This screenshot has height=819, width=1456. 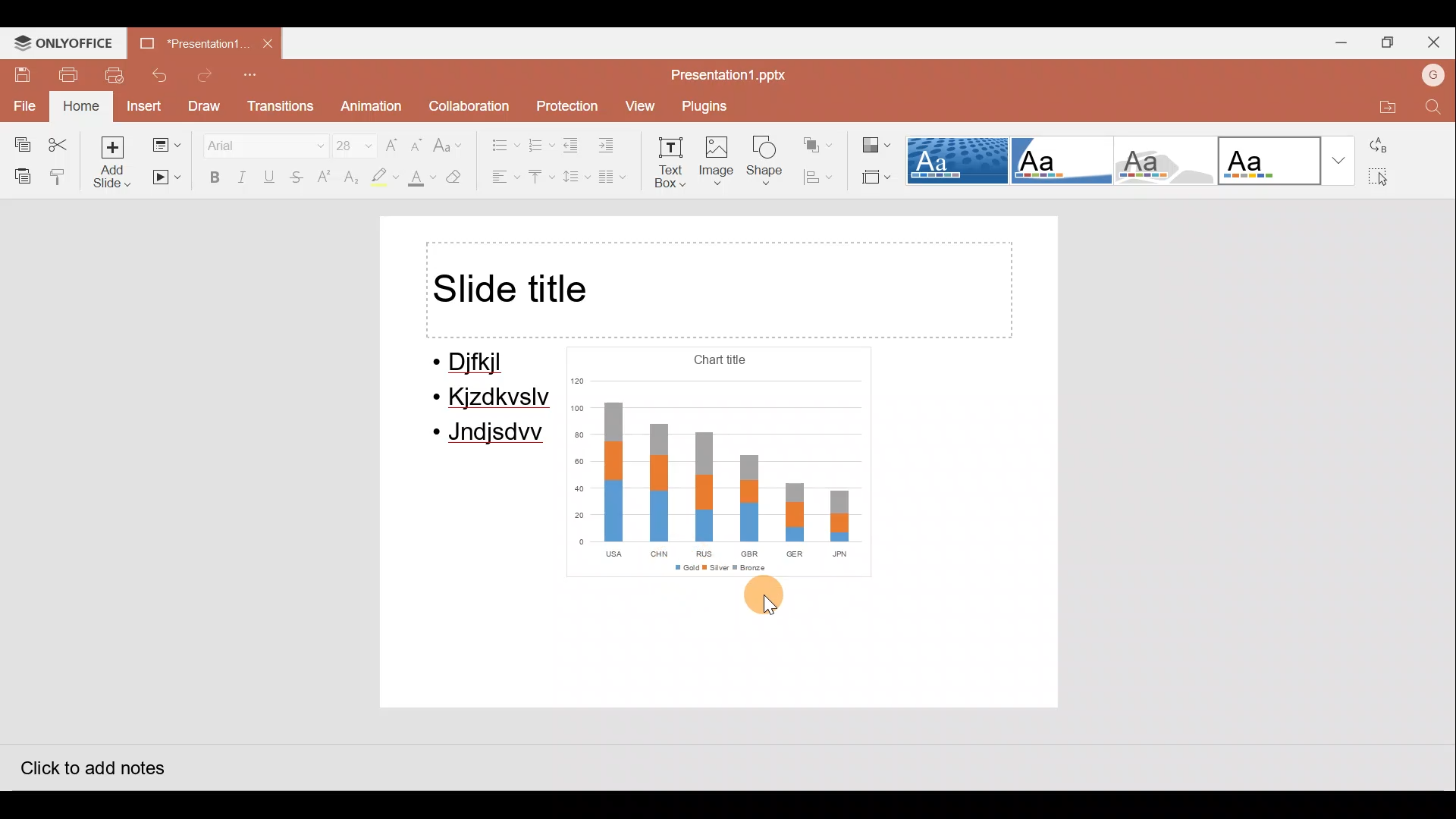 What do you see at coordinates (1271, 159) in the screenshot?
I see `Theme 4` at bounding box center [1271, 159].